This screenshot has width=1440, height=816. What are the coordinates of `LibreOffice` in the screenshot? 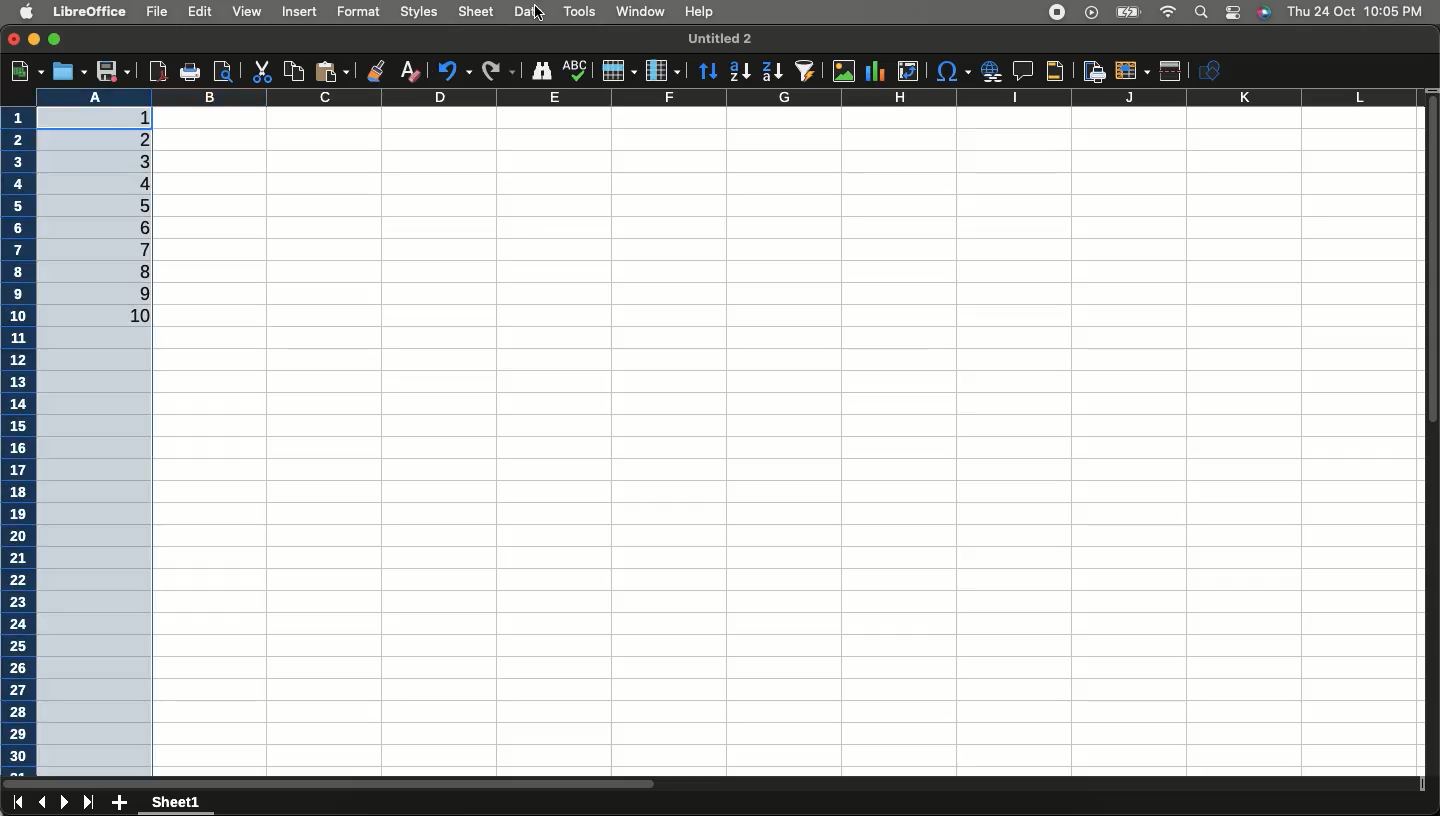 It's located at (92, 12).